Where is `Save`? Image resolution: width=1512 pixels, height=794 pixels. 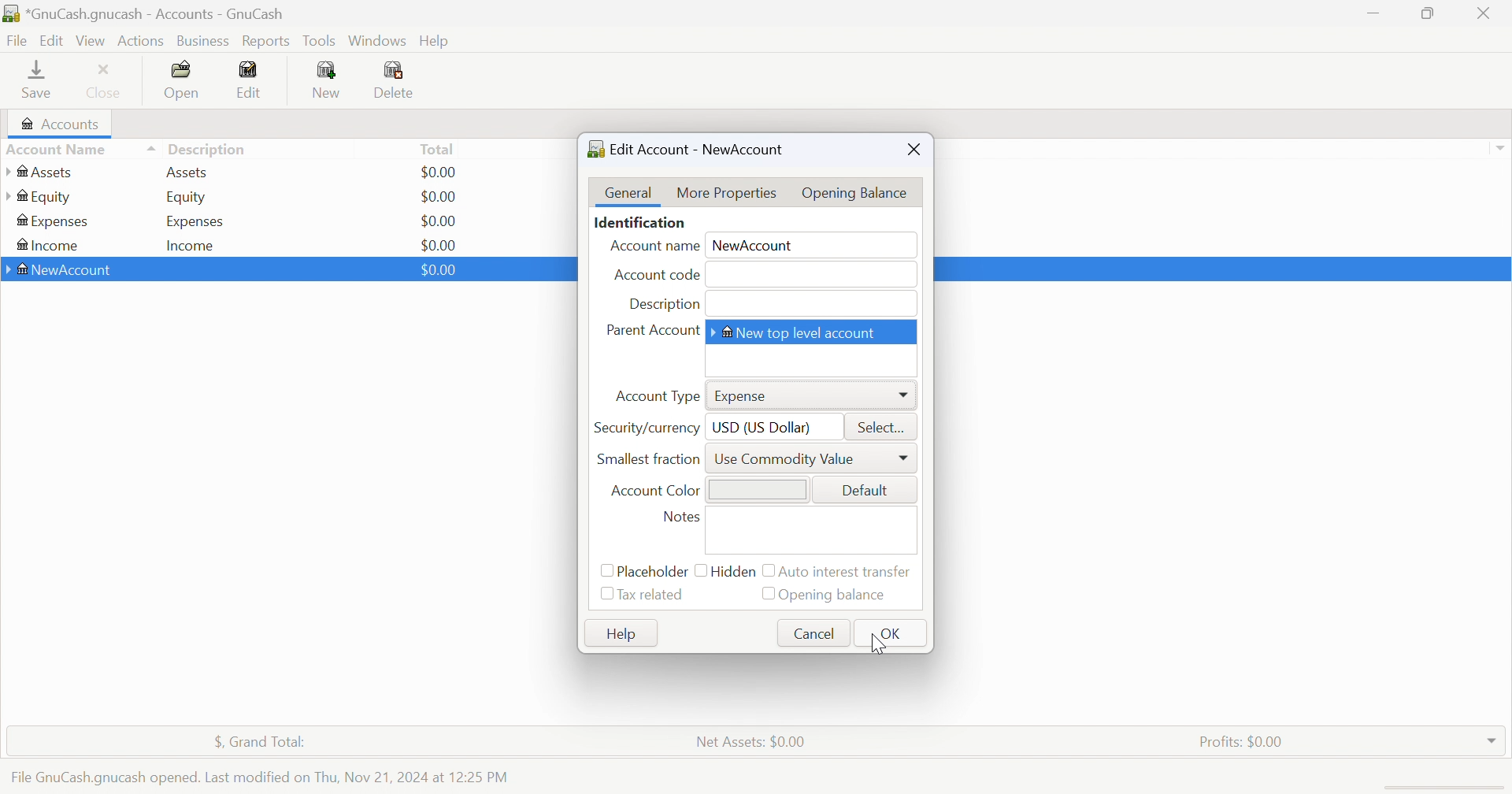
Save is located at coordinates (36, 78).